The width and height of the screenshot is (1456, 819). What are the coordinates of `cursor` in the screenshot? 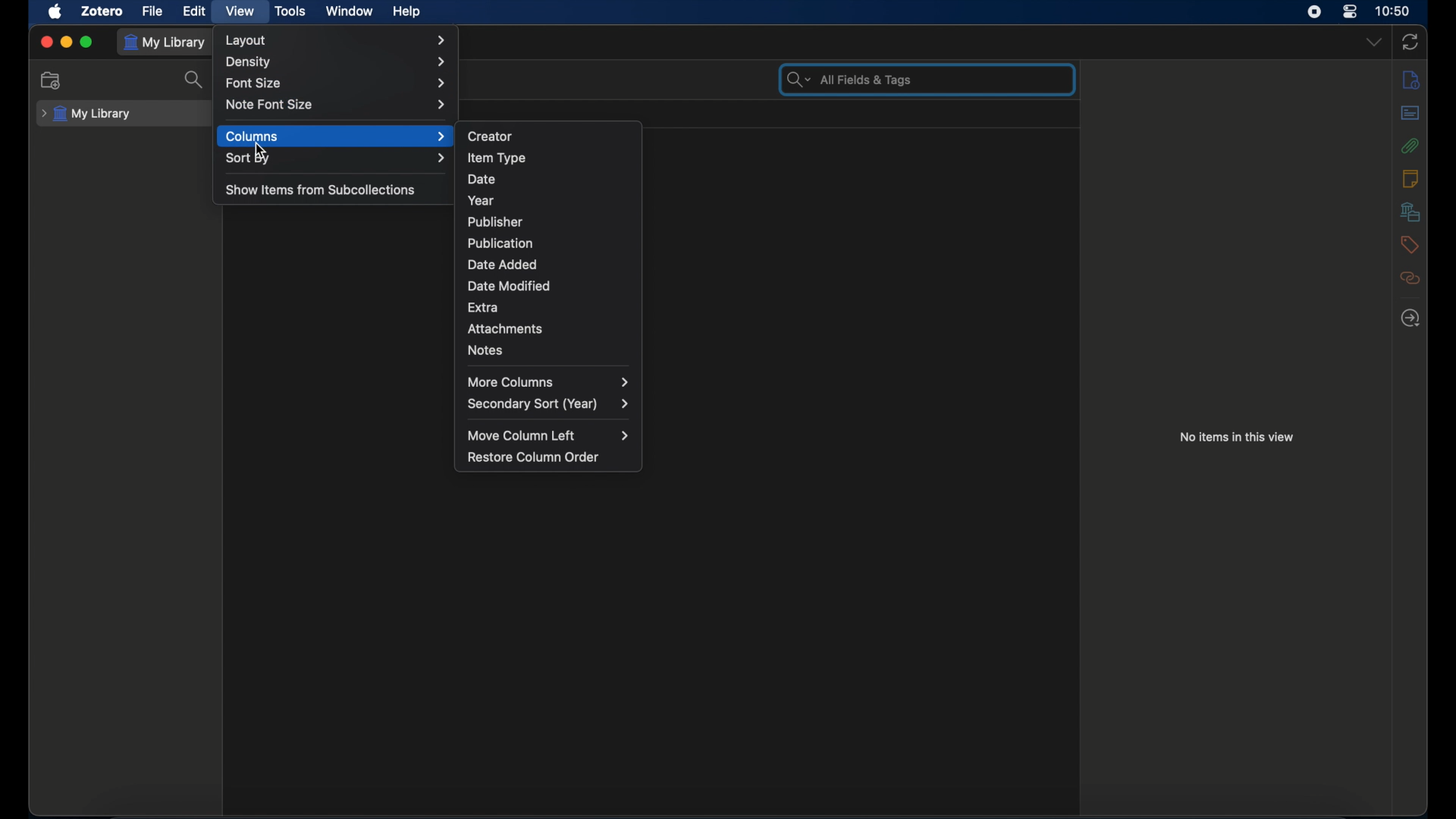 It's located at (261, 149).